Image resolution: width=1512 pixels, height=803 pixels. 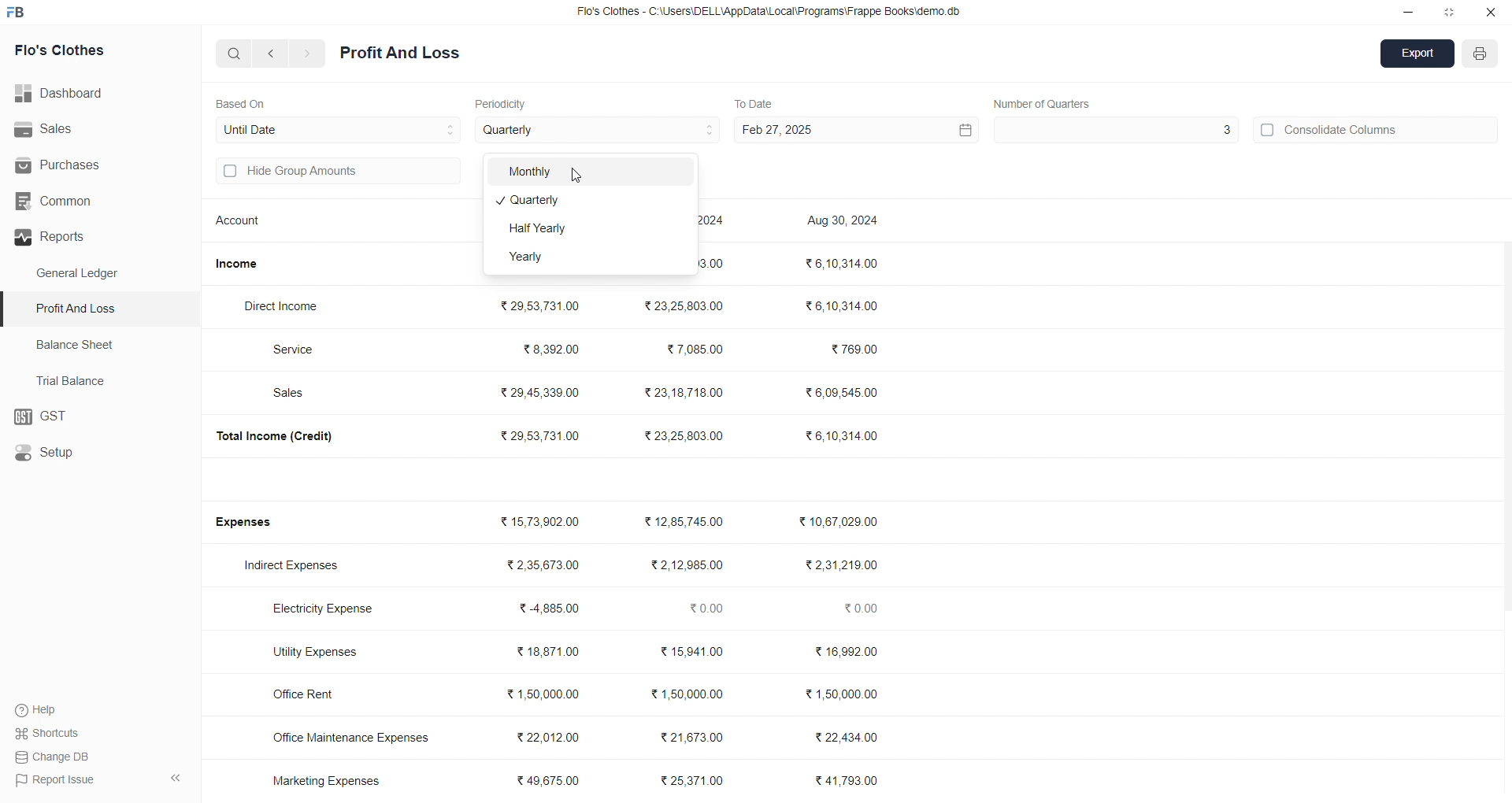 I want to click on selected, so click(x=9, y=309).